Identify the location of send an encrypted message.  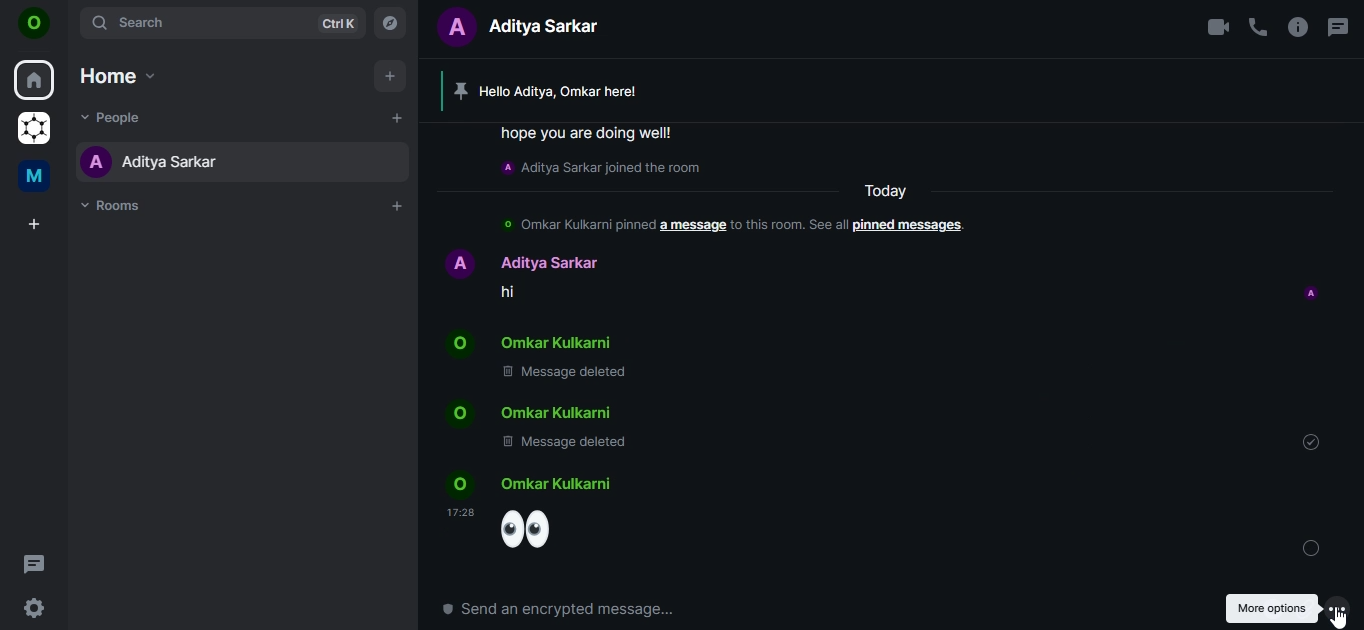
(571, 609).